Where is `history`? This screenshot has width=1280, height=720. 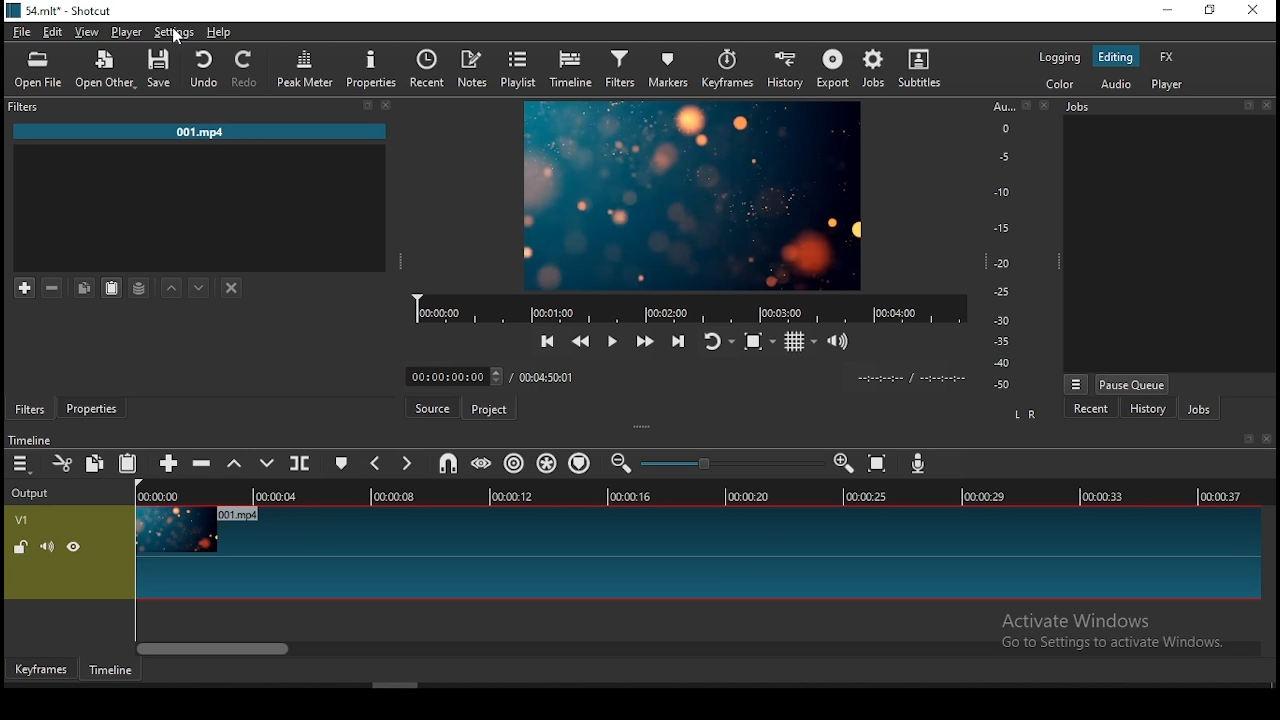
history is located at coordinates (1147, 411).